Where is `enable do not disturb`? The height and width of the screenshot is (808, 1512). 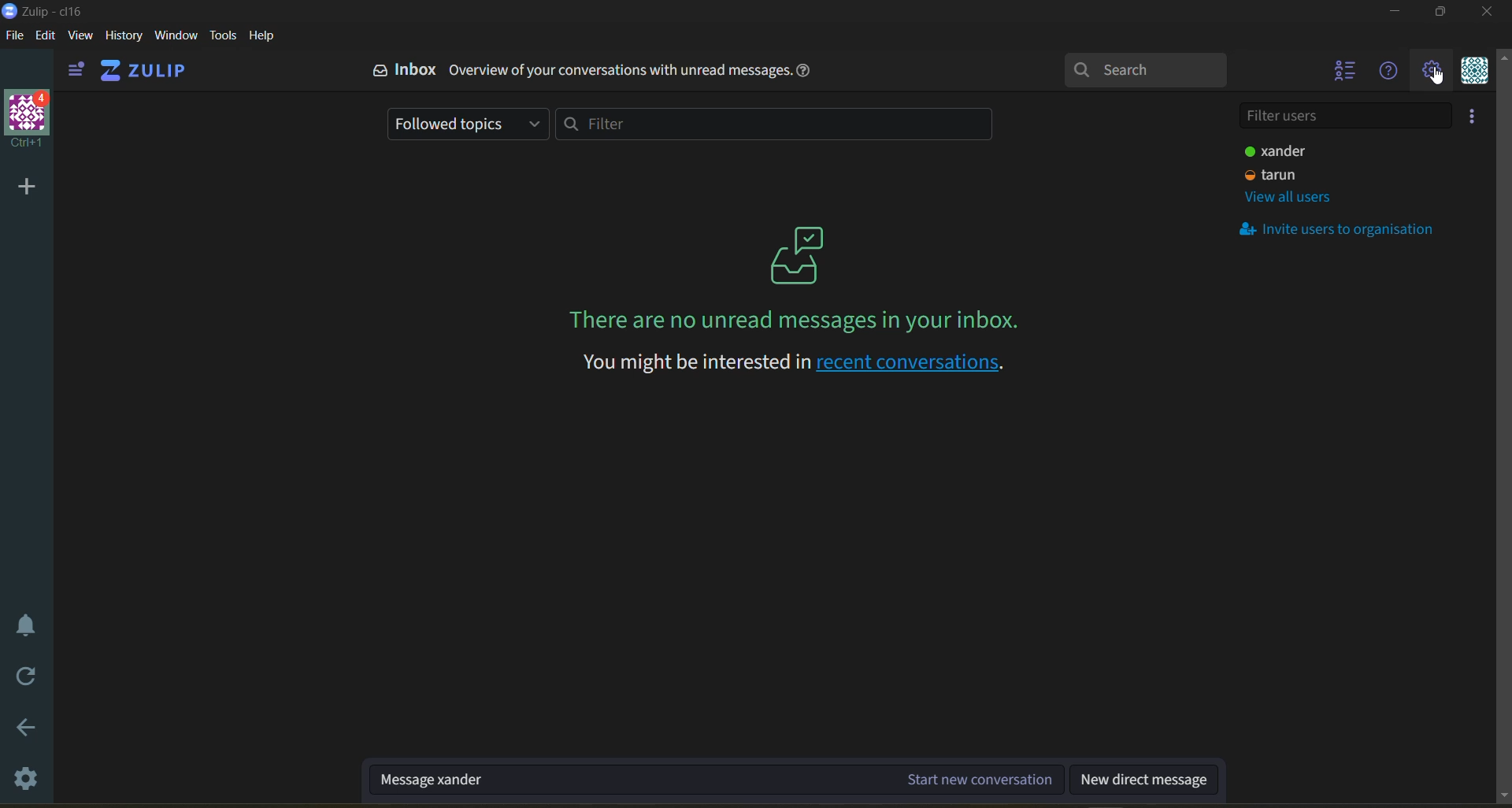 enable do not disturb is located at coordinates (28, 625).